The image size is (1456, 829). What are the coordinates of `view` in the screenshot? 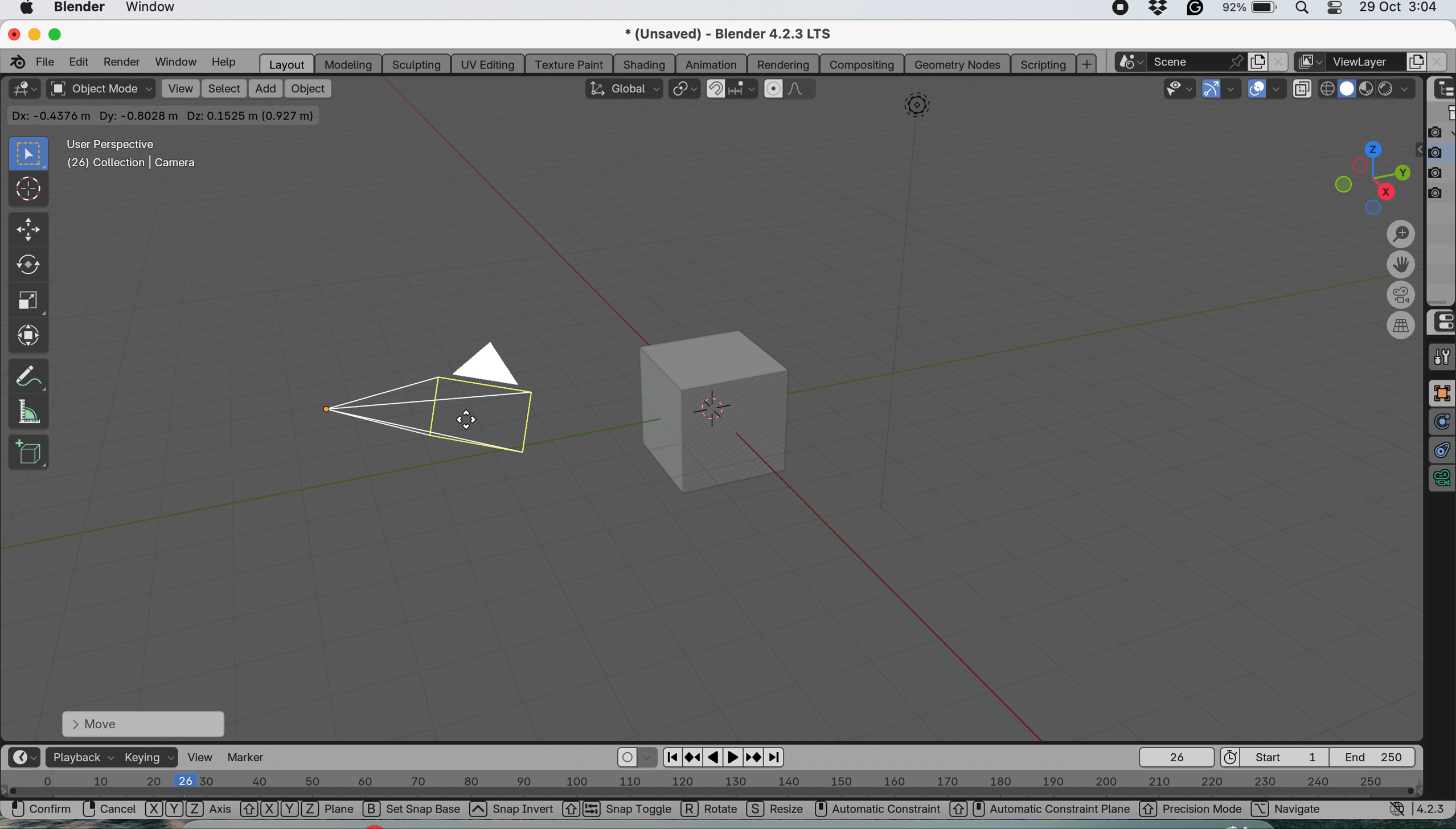 It's located at (202, 757).